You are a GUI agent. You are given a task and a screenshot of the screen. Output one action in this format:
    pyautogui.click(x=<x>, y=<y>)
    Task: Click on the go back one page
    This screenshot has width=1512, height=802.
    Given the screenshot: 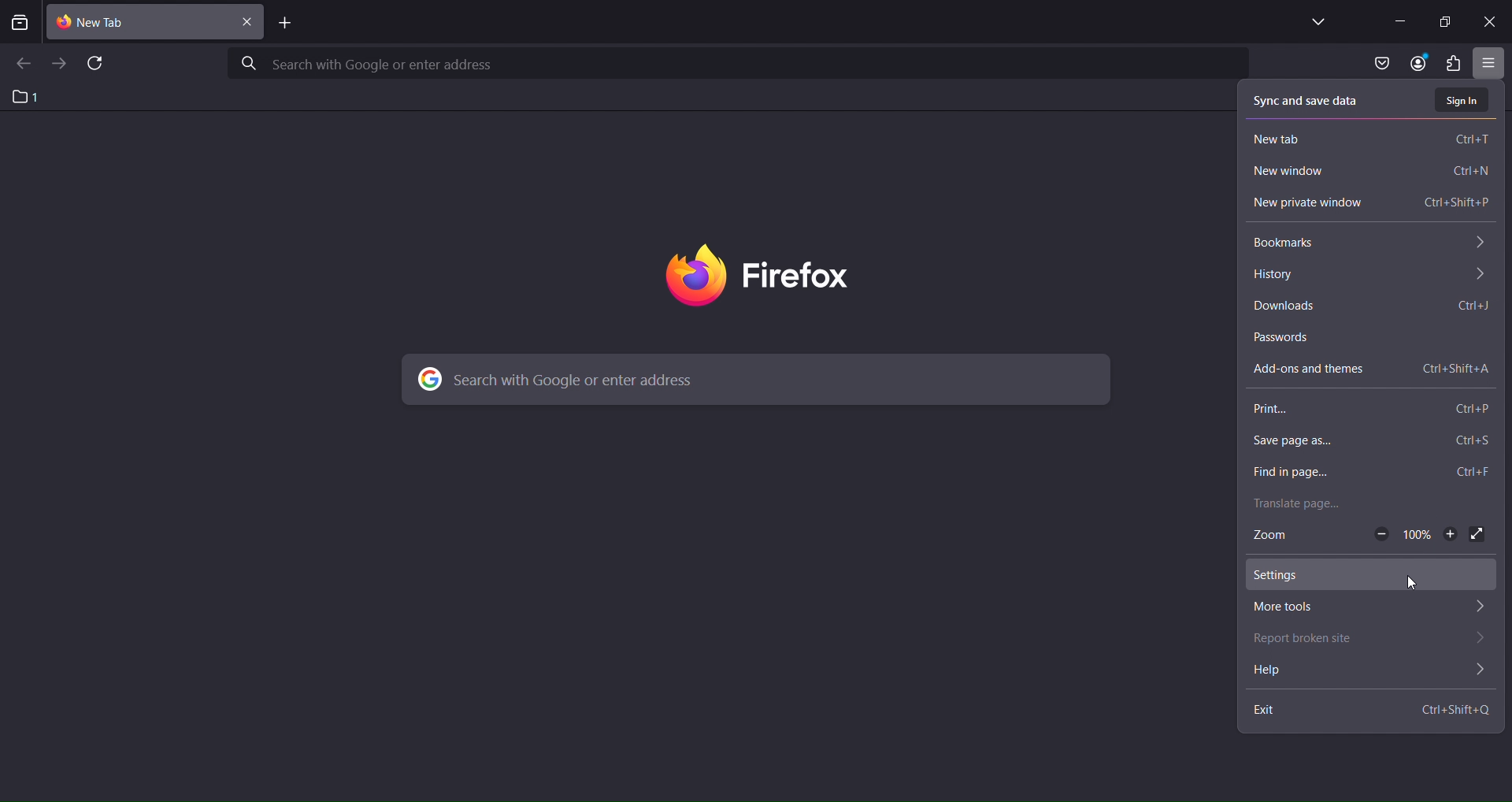 What is the action you would take?
    pyautogui.click(x=23, y=65)
    